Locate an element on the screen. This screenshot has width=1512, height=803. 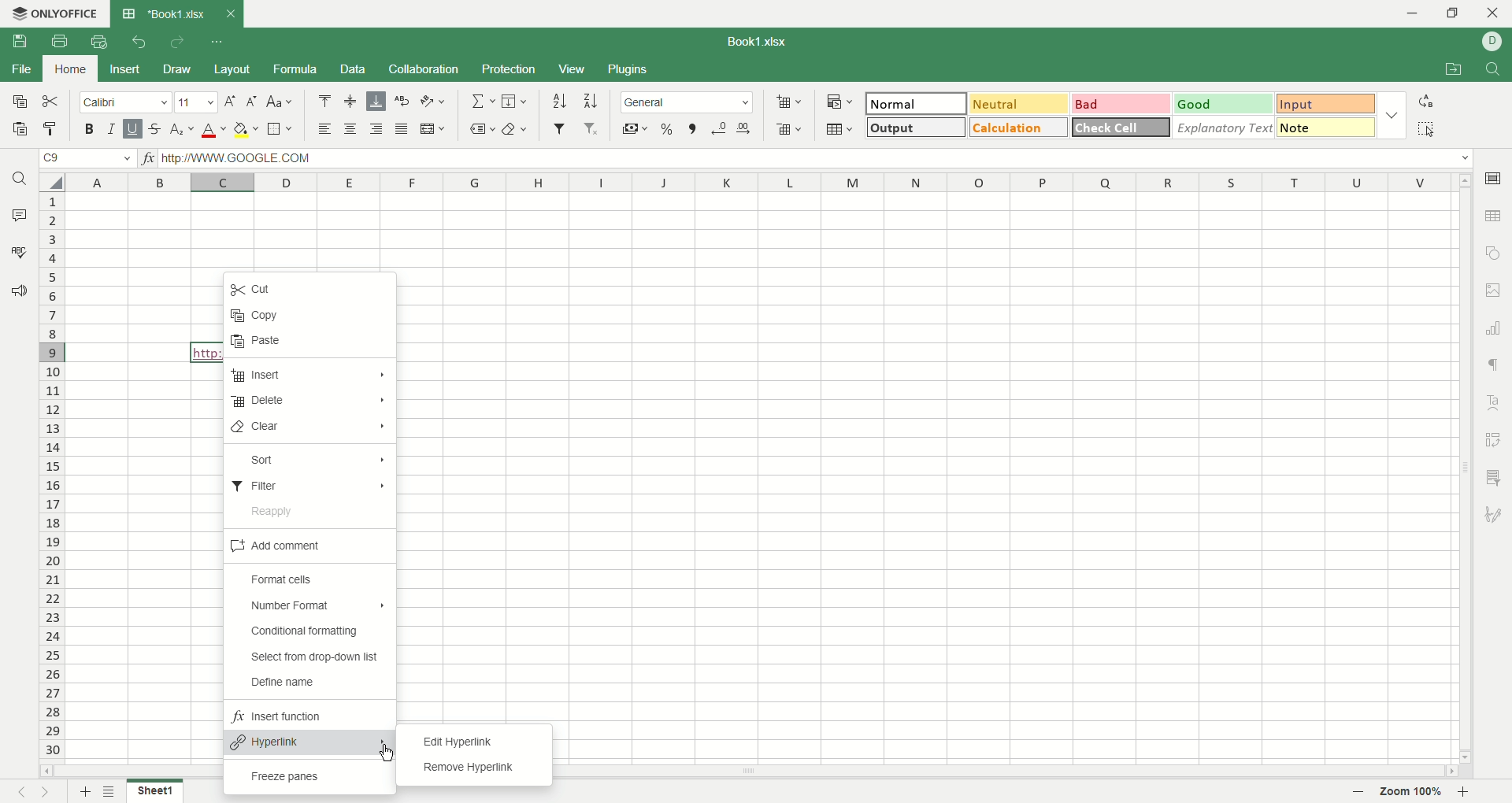
sort descending is located at coordinates (589, 101).